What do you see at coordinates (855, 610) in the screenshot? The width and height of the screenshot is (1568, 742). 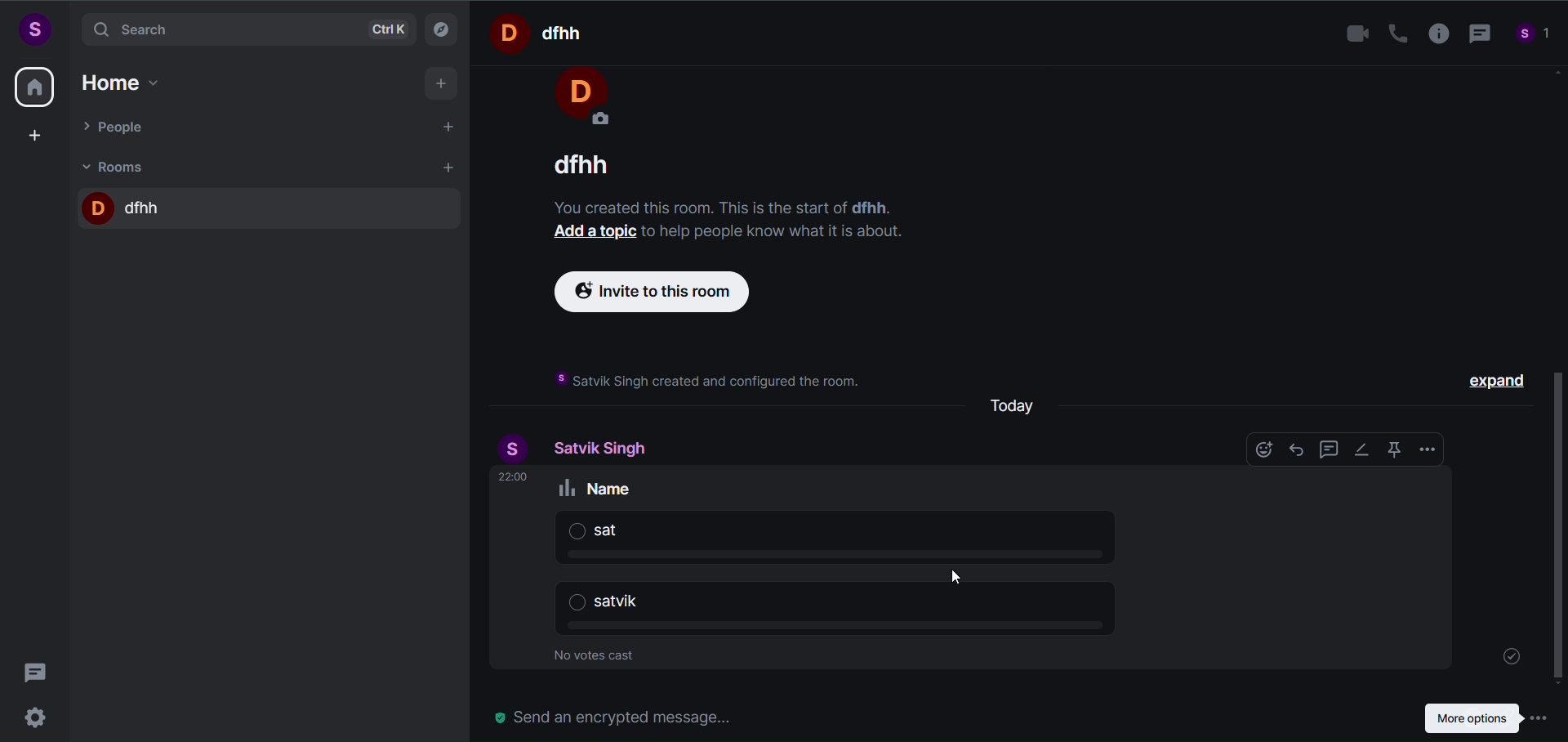 I see `satvik option` at bounding box center [855, 610].